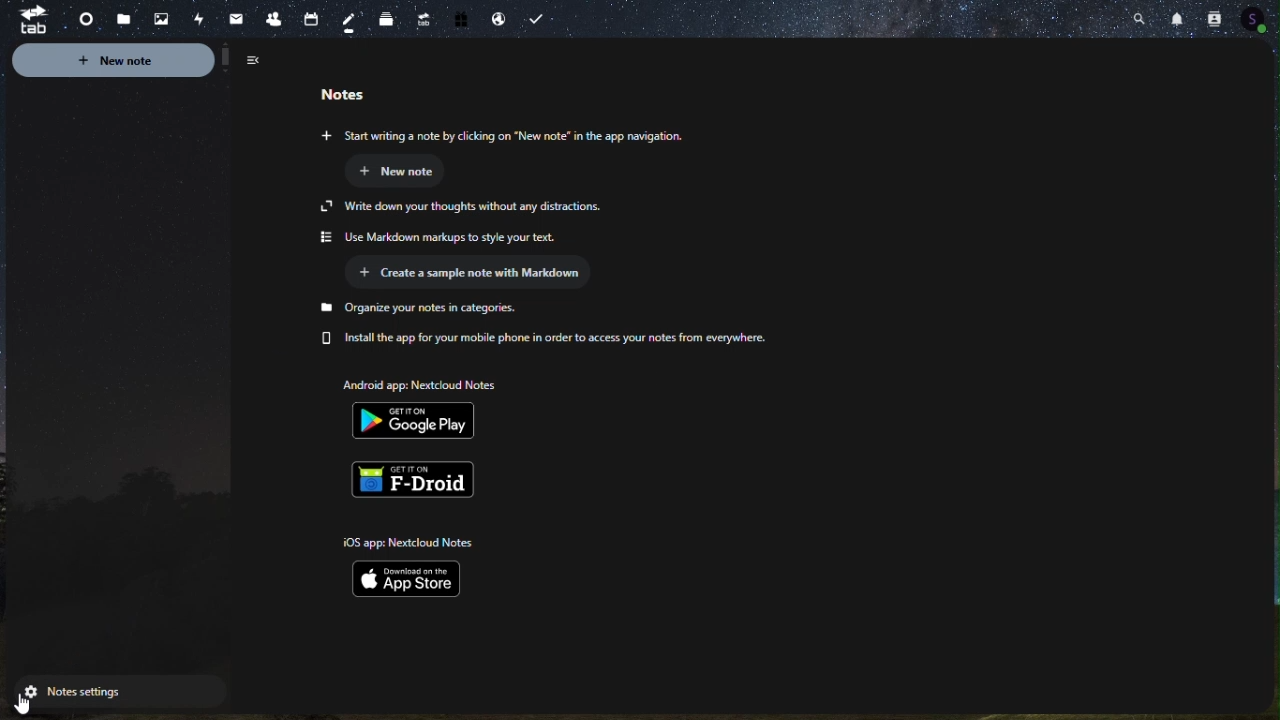 The width and height of the screenshot is (1280, 720). I want to click on Text, so click(479, 221).